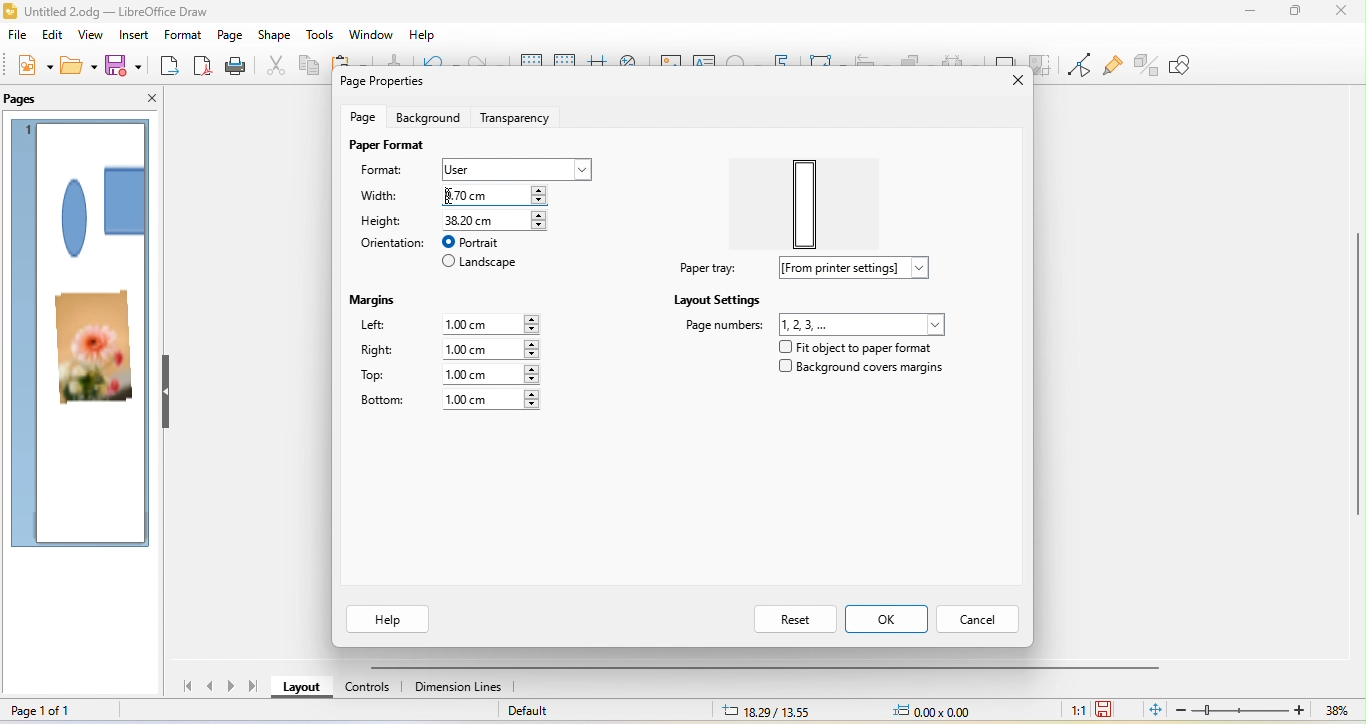 The height and width of the screenshot is (724, 1366). What do you see at coordinates (520, 167) in the screenshot?
I see `select user` at bounding box center [520, 167].